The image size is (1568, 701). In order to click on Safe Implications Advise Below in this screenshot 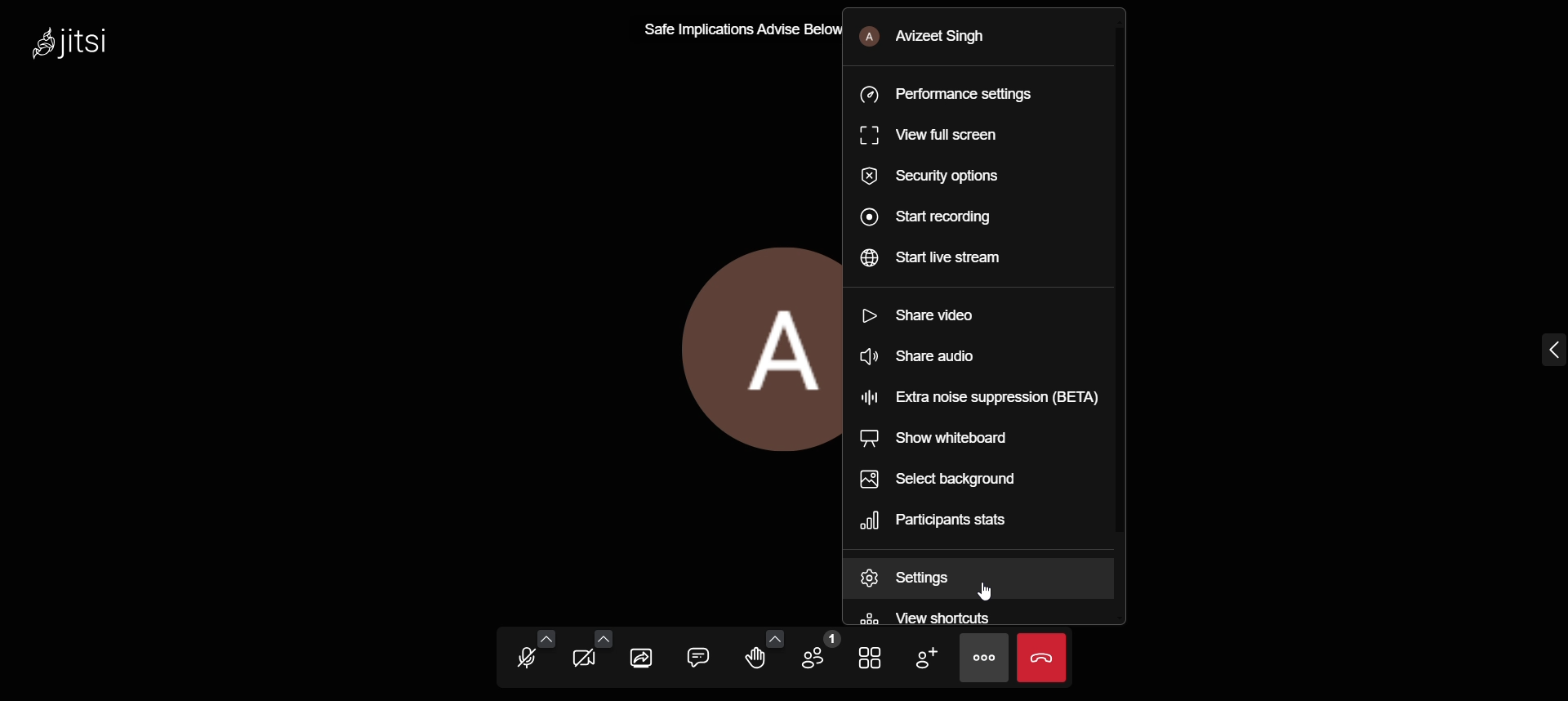, I will do `click(736, 29)`.